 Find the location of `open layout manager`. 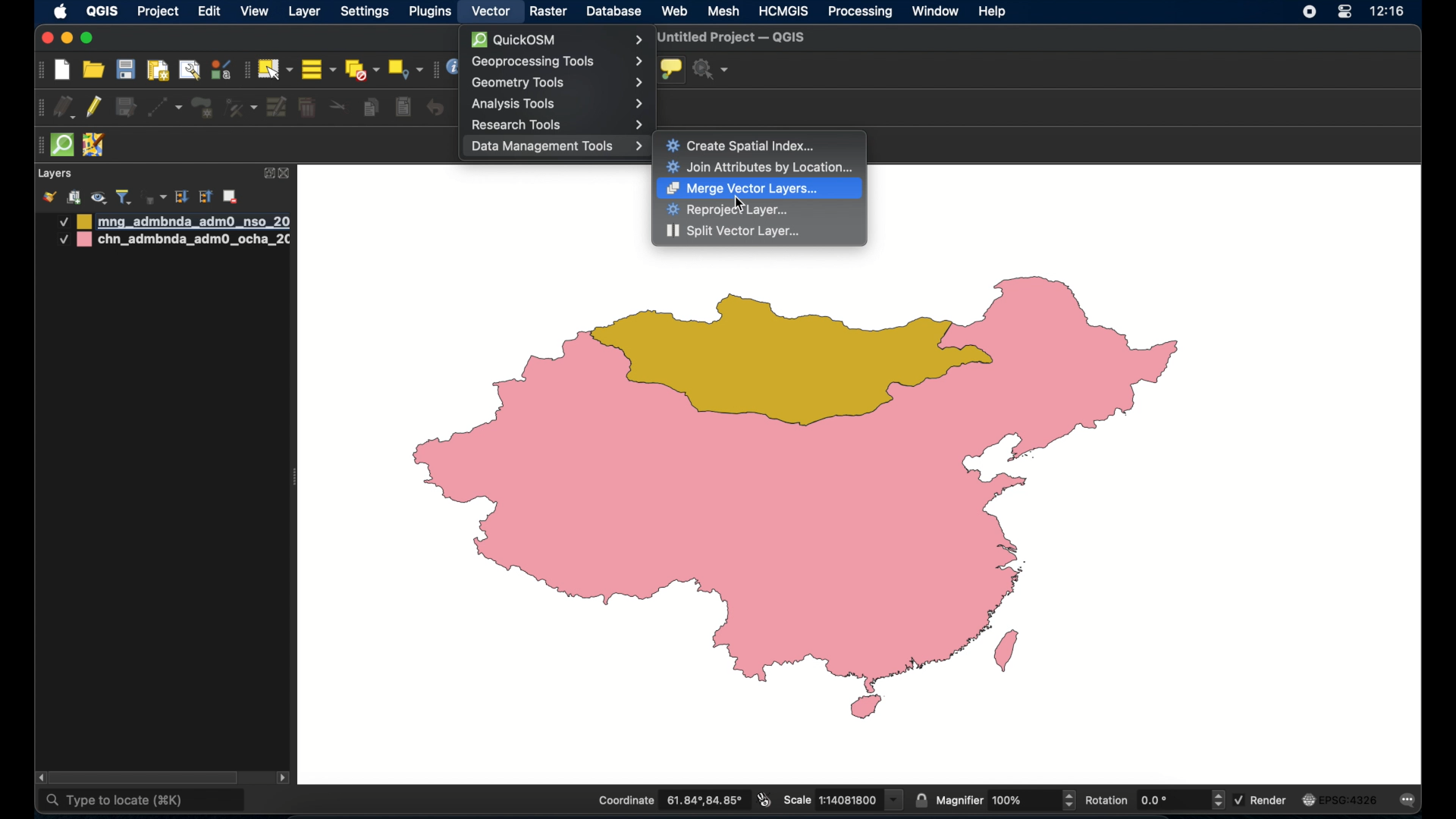

open layout manager is located at coordinates (189, 70).